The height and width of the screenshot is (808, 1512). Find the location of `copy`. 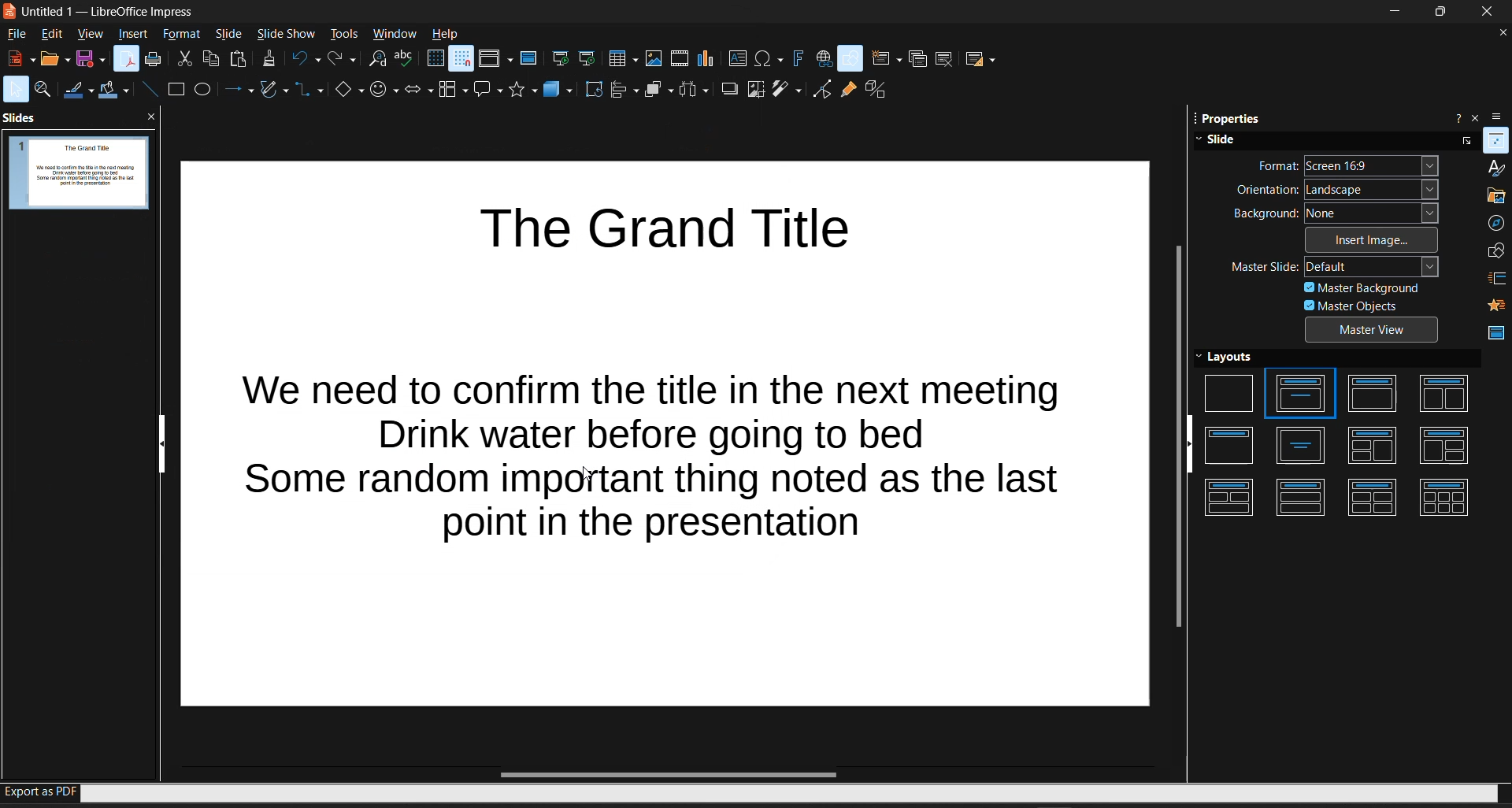

copy is located at coordinates (208, 58).